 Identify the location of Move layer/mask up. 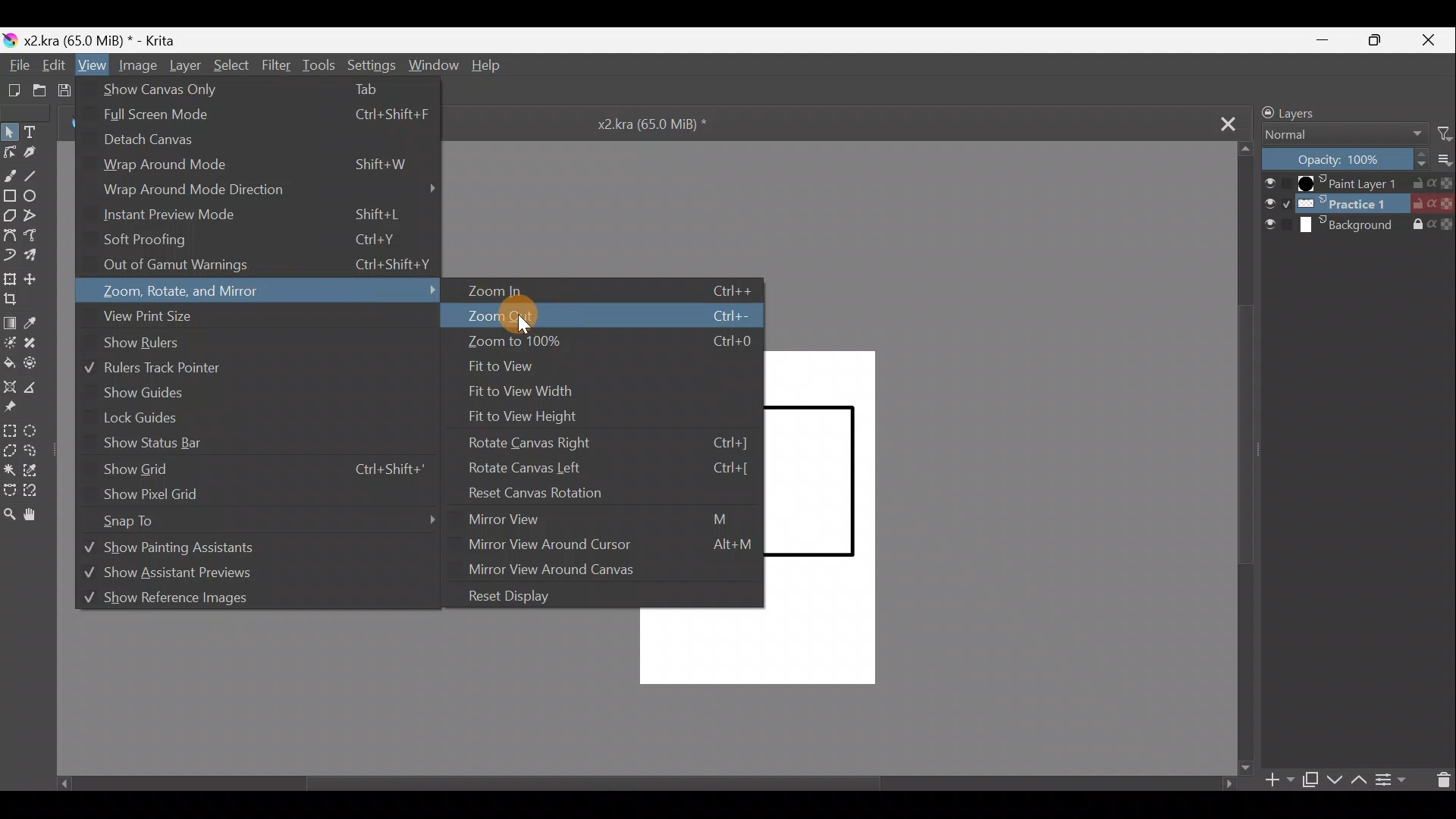
(1361, 780).